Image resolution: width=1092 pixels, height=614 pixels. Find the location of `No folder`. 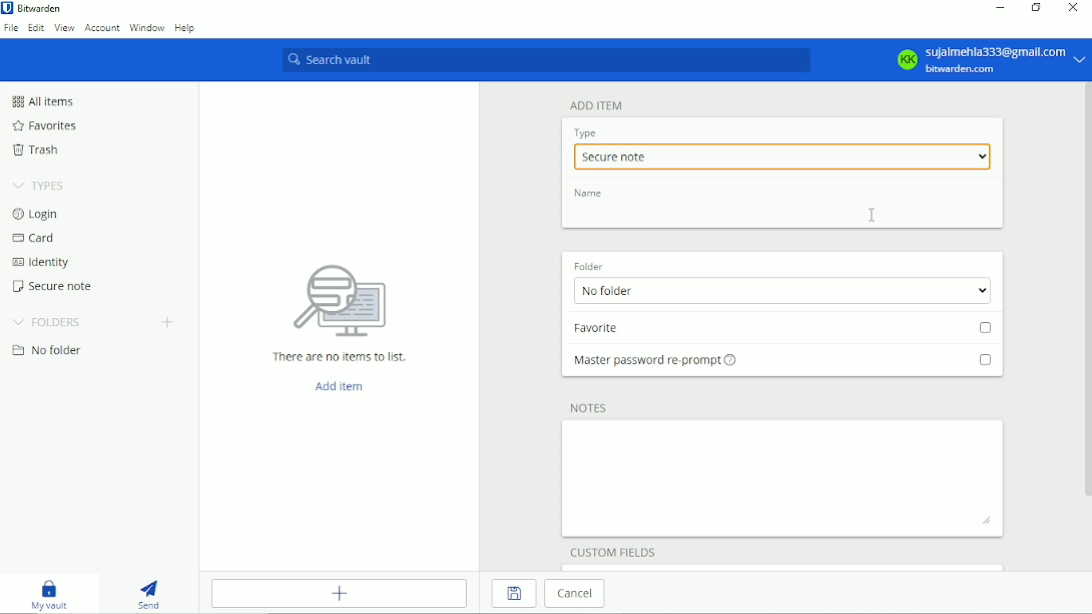

No folder is located at coordinates (47, 351).